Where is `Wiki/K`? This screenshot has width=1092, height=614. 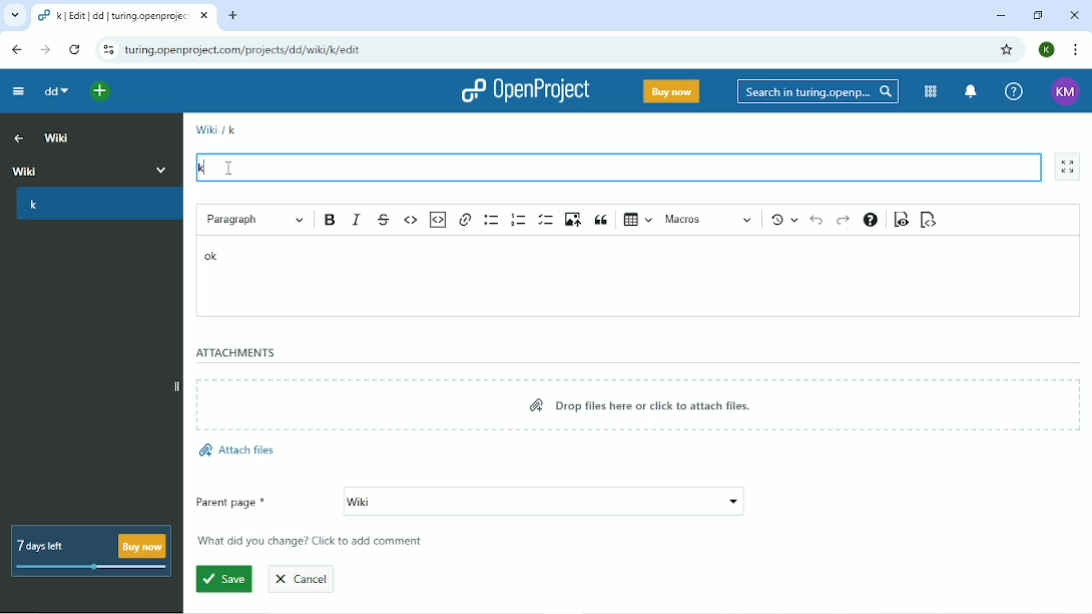 Wiki/K is located at coordinates (220, 127).